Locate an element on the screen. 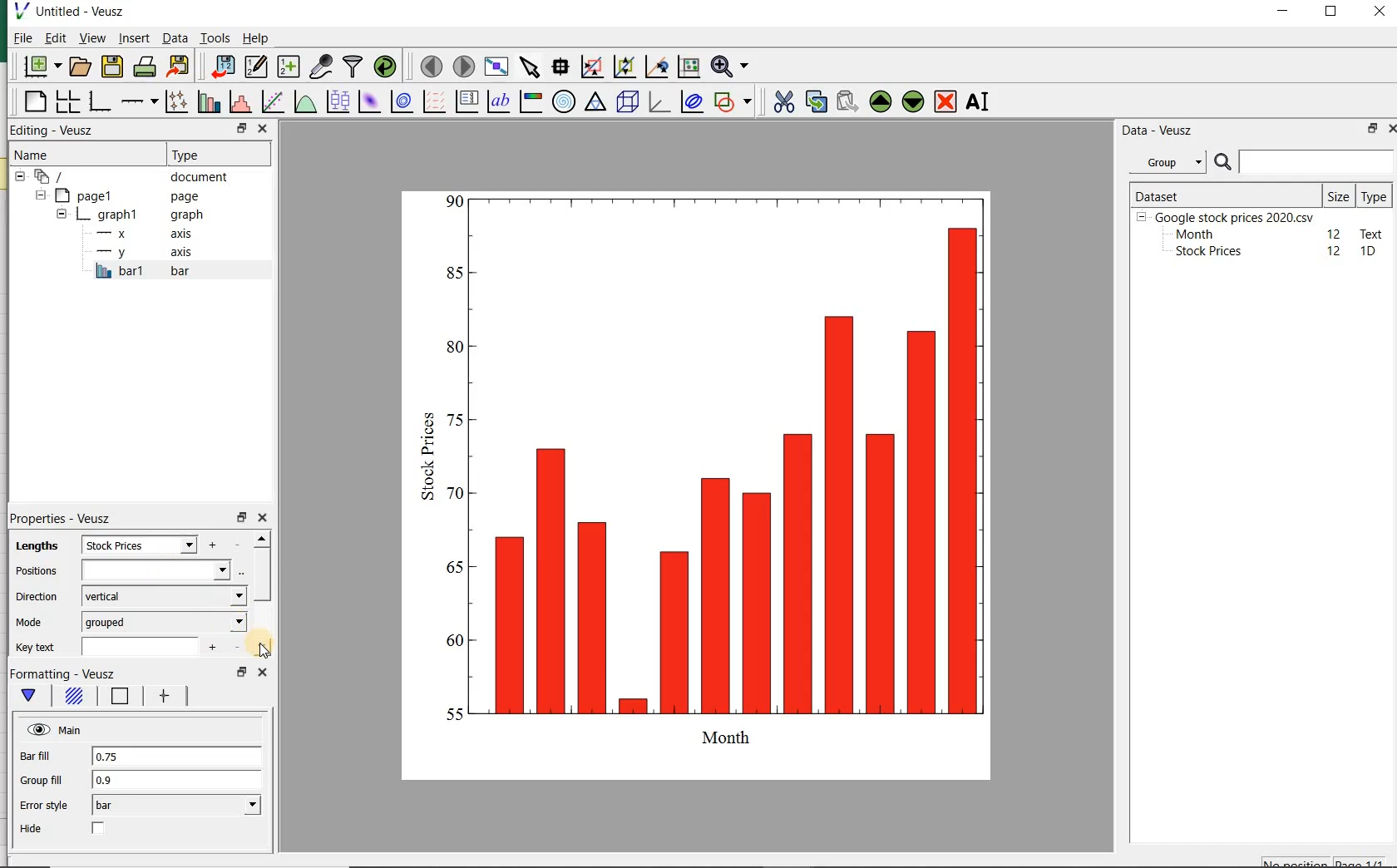 This screenshot has height=868, width=1397. Data - Veusz is located at coordinates (1158, 130).